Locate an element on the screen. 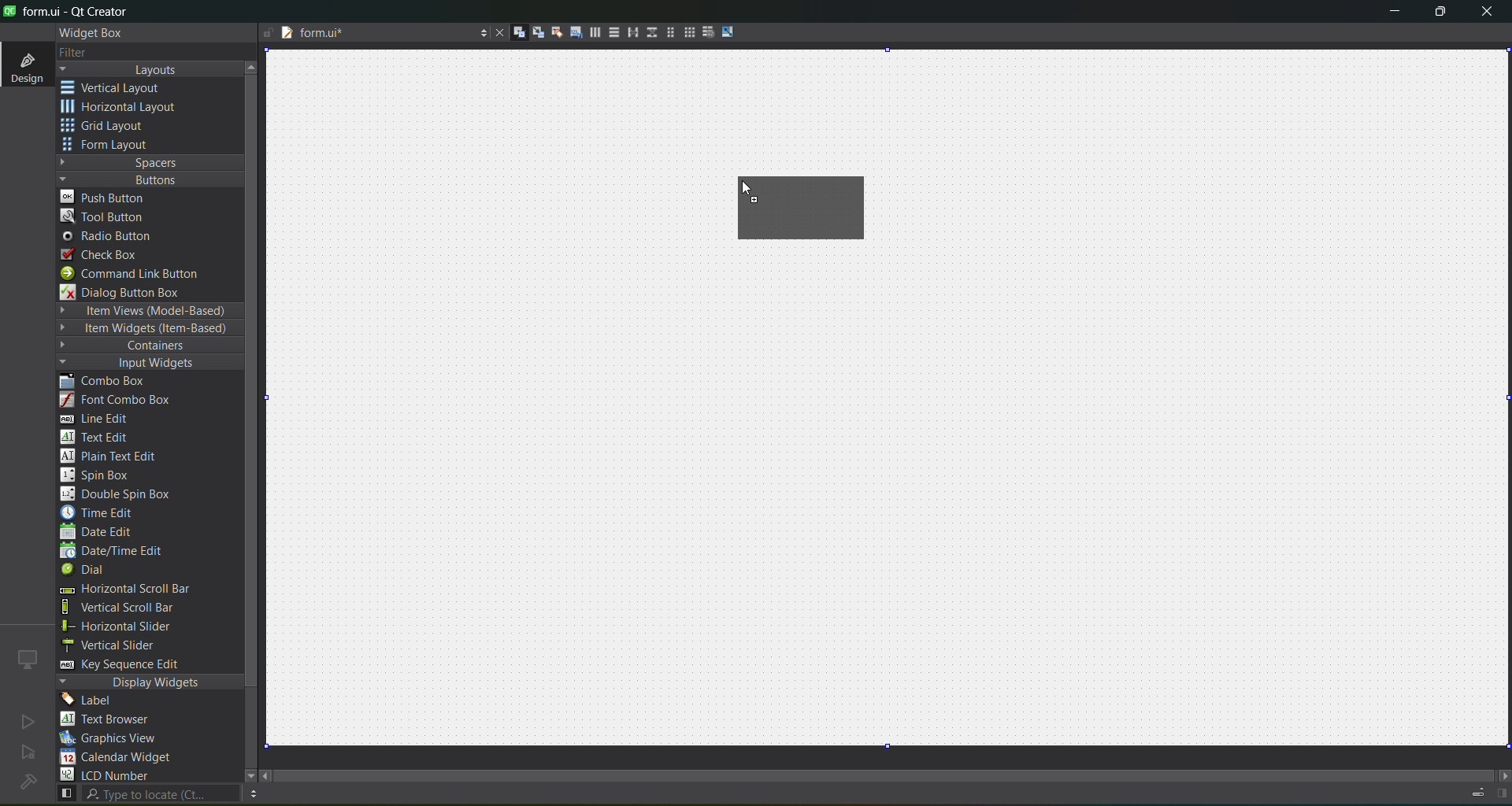 The width and height of the screenshot is (1512, 806). date/time edit is located at coordinates (126, 552).